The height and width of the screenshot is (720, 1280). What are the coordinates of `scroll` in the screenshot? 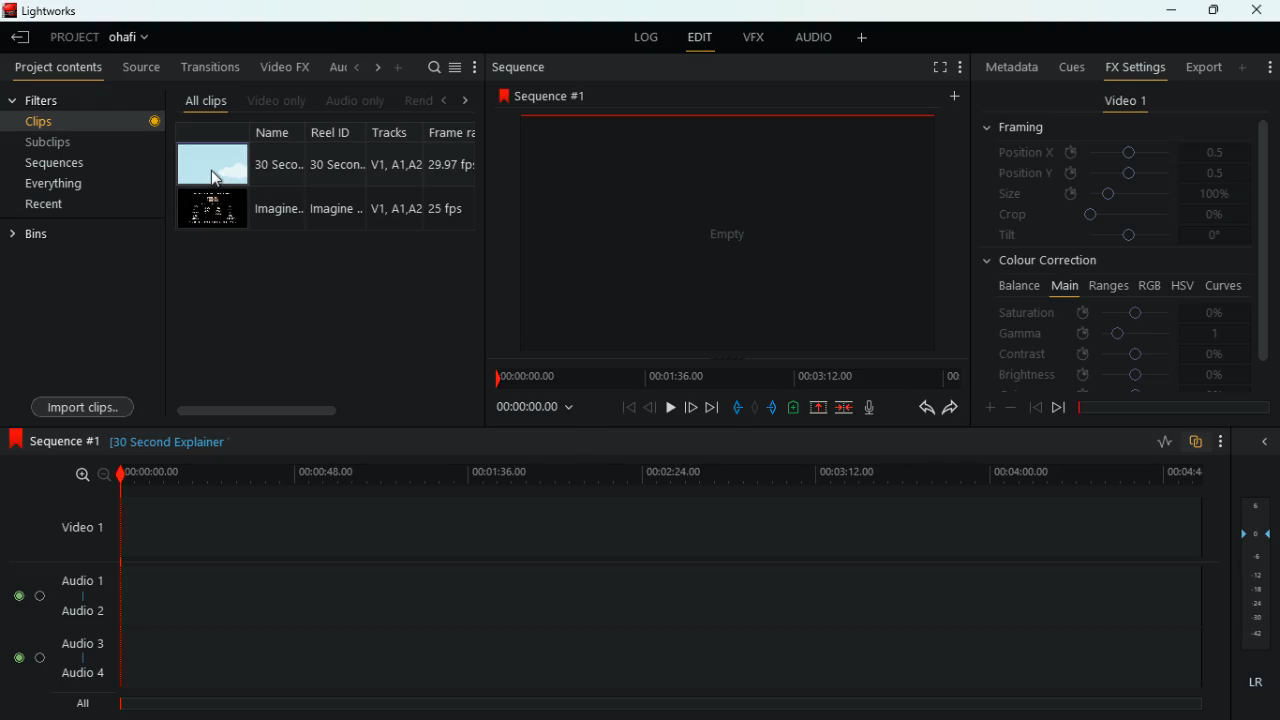 It's located at (323, 410).